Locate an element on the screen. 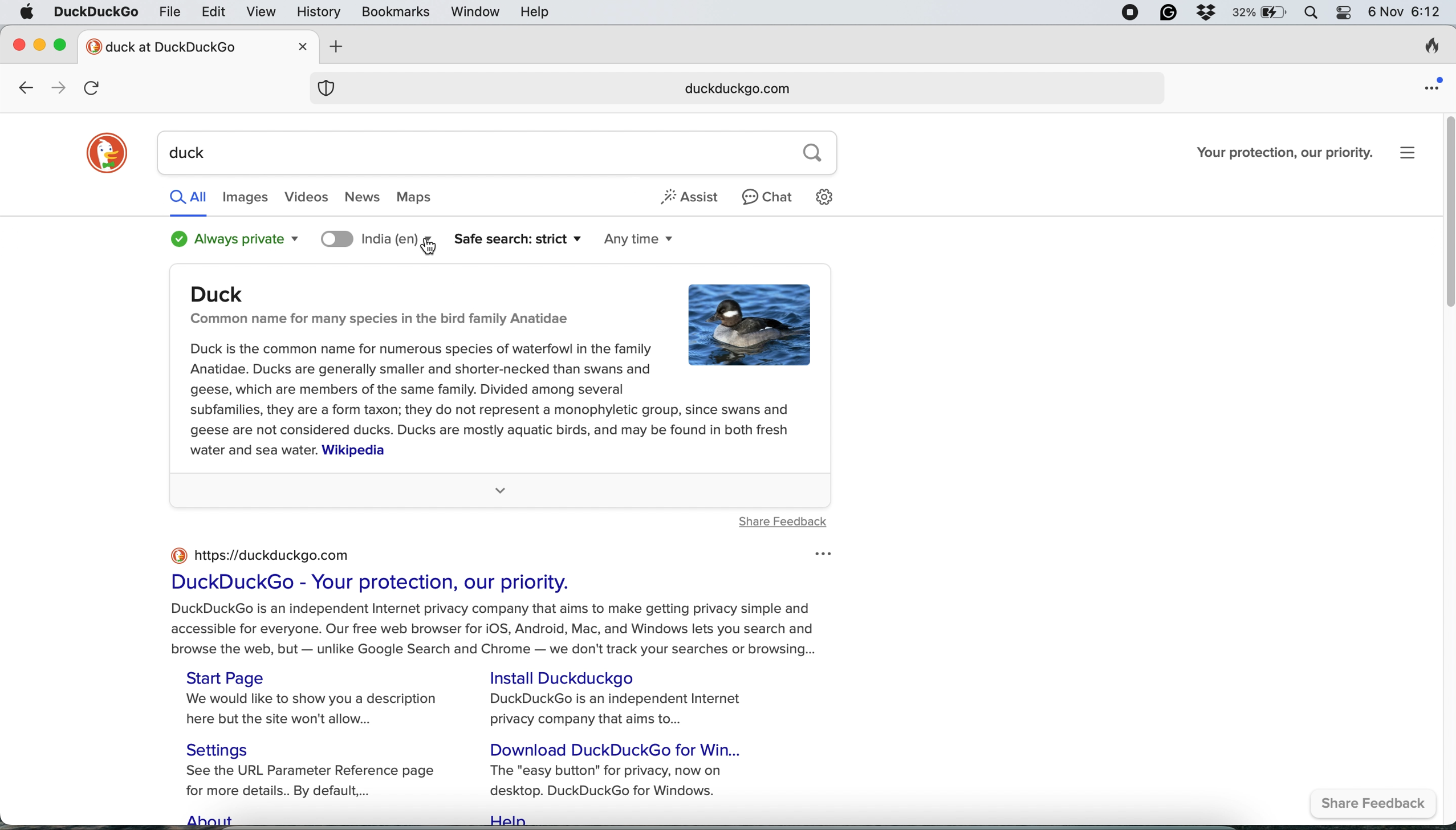 This screenshot has height=830, width=1456. DuckDuckGo is an independent Internet
privacy company that aims to... is located at coordinates (619, 710).